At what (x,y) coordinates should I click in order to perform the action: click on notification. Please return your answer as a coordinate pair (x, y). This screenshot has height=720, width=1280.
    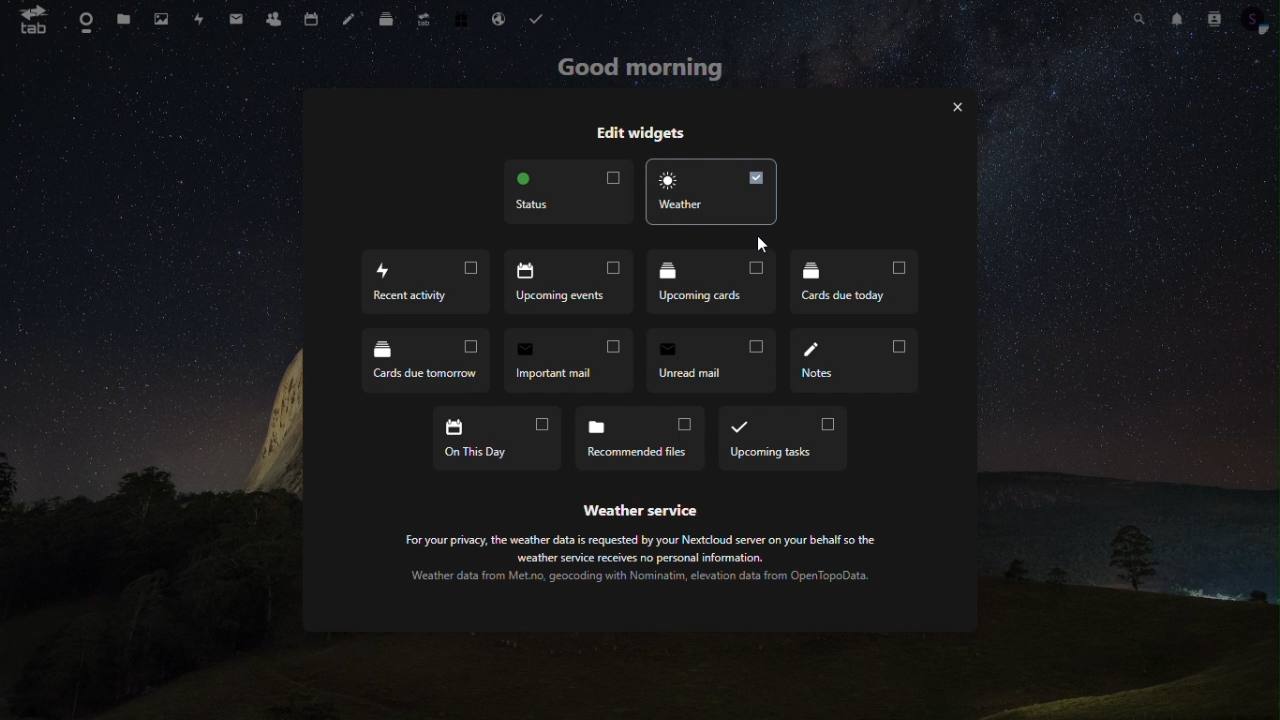
    Looking at the image, I should click on (1175, 19).